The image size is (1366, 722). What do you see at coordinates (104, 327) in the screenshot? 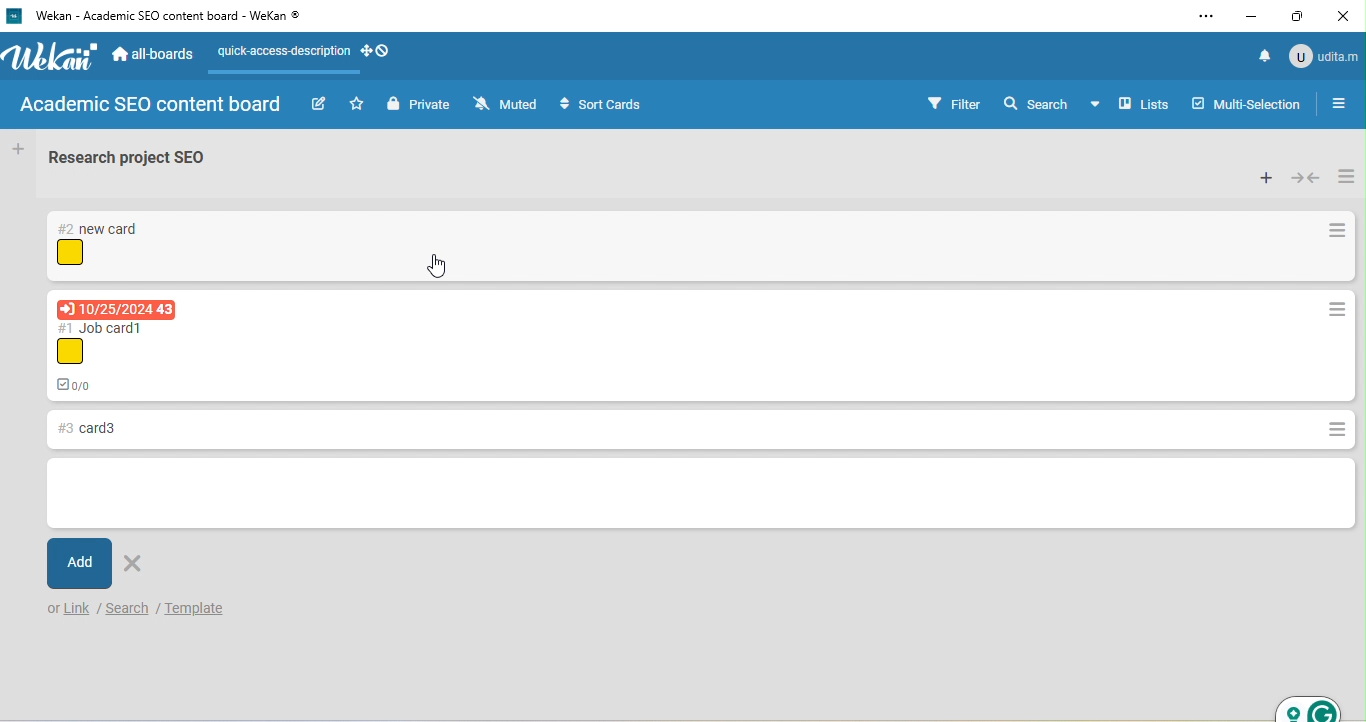
I see `card titles ` at bounding box center [104, 327].